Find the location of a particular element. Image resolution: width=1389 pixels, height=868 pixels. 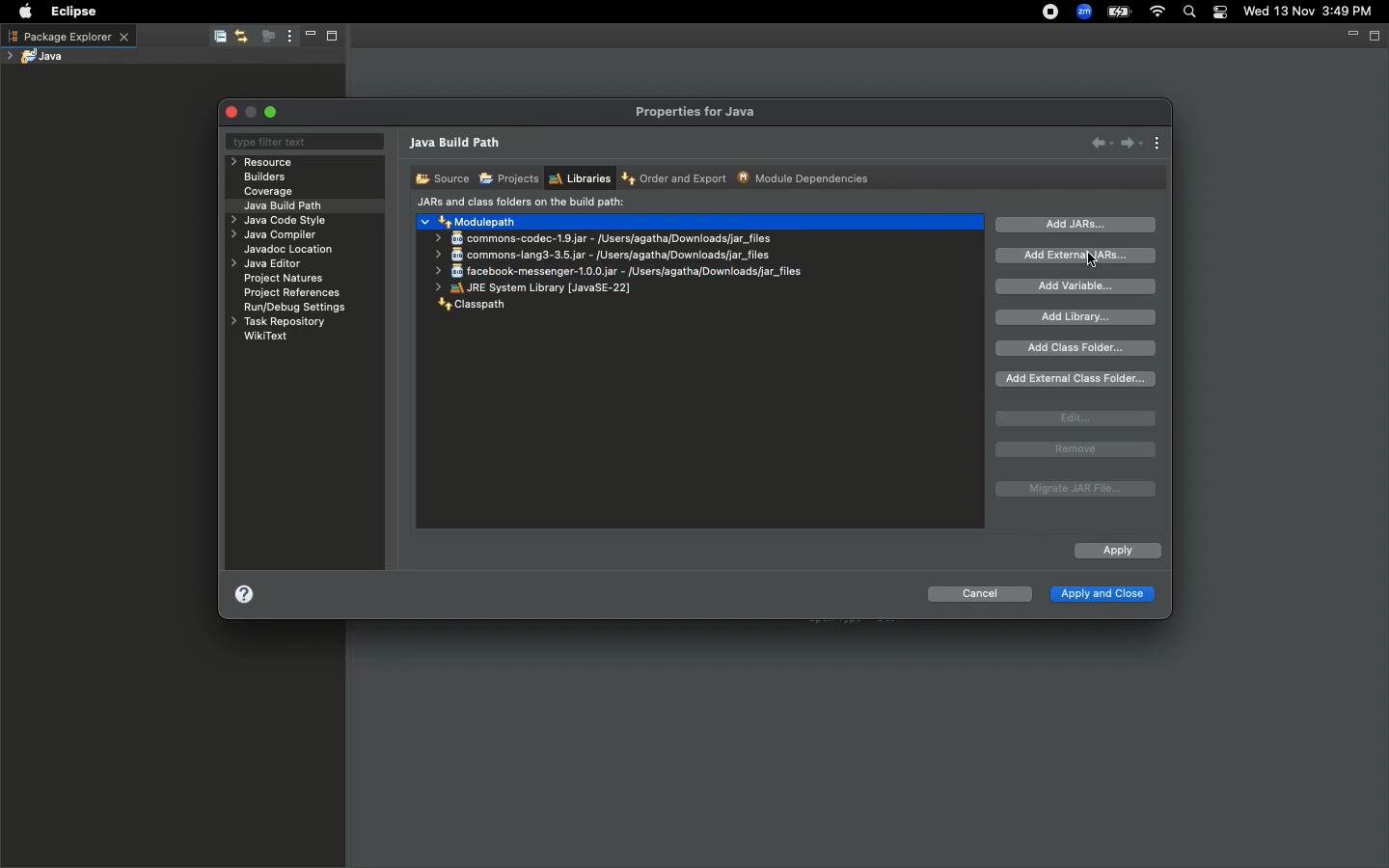

Order and export is located at coordinates (676, 179).